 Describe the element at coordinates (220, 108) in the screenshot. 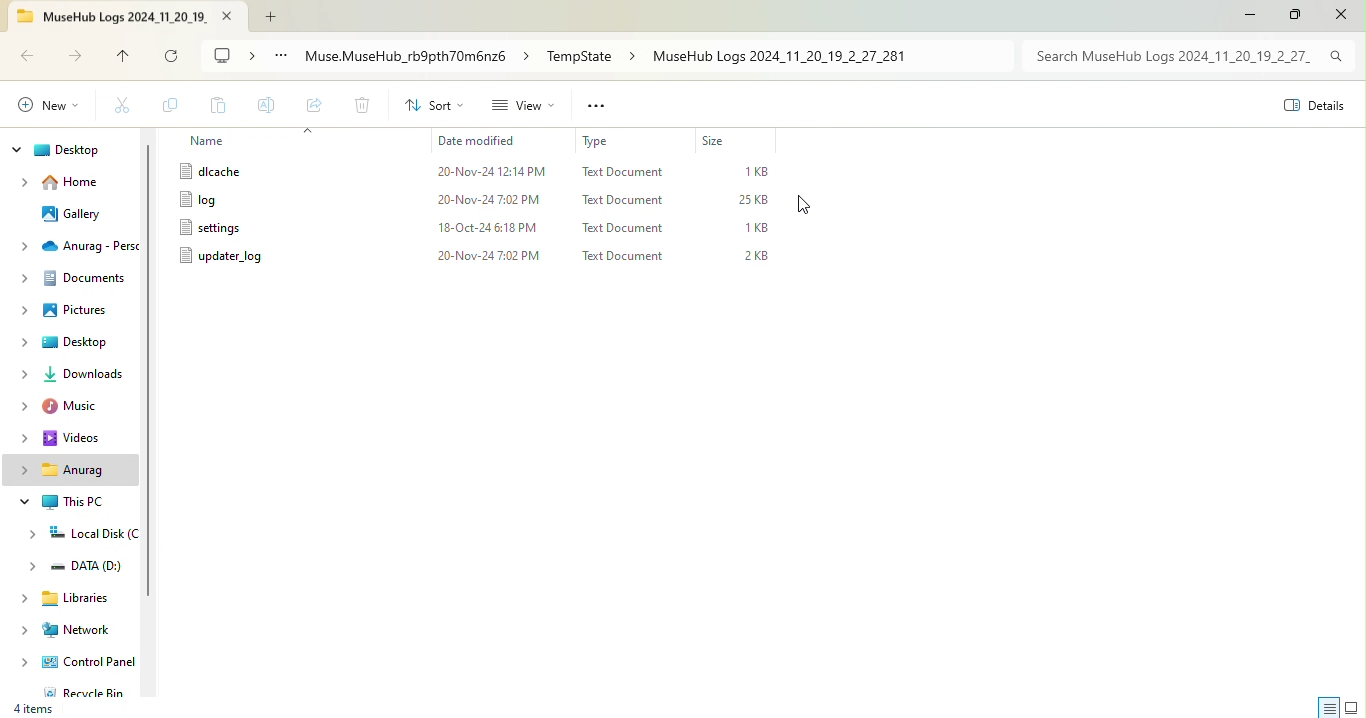

I see `Paste` at that location.